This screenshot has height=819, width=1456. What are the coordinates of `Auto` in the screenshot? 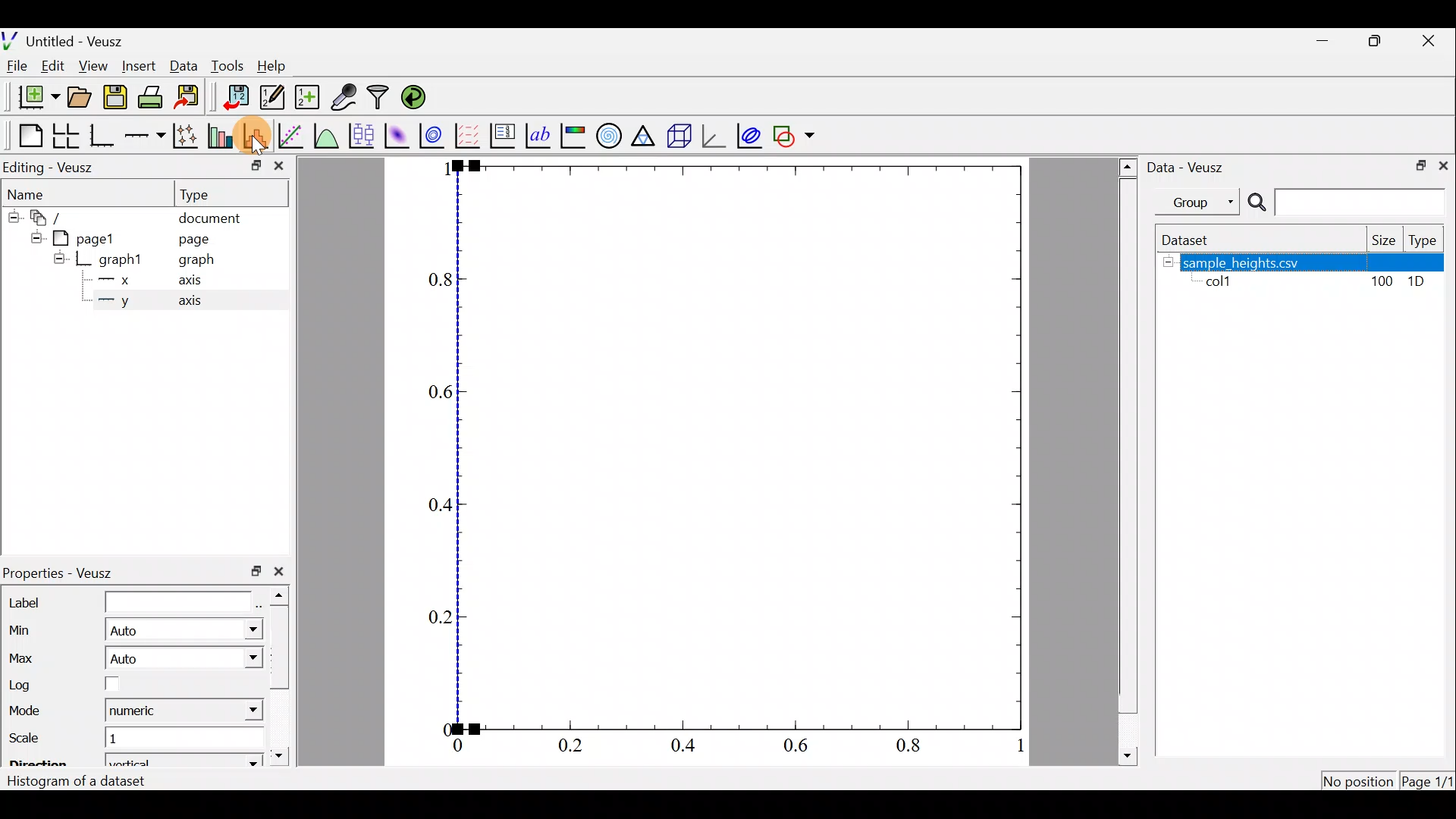 It's located at (132, 631).